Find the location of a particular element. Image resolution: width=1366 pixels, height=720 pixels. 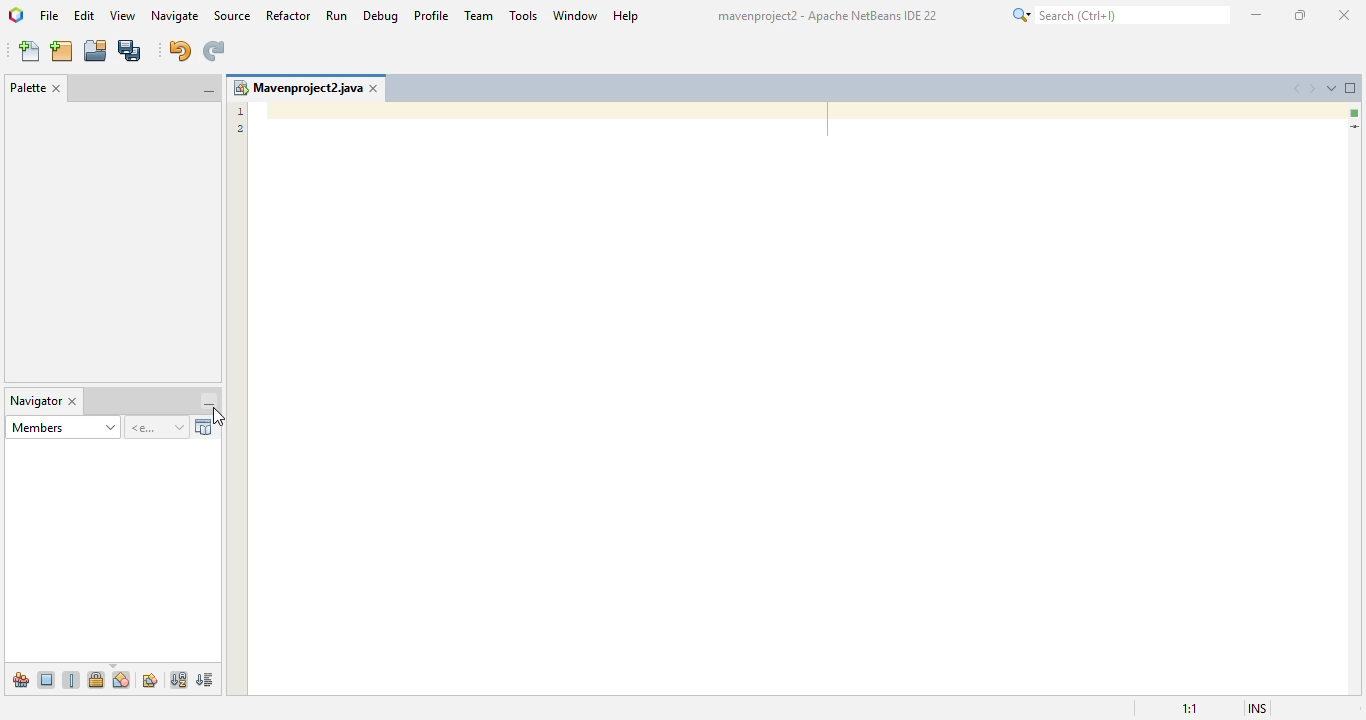

profile is located at coordinates (433, 16).